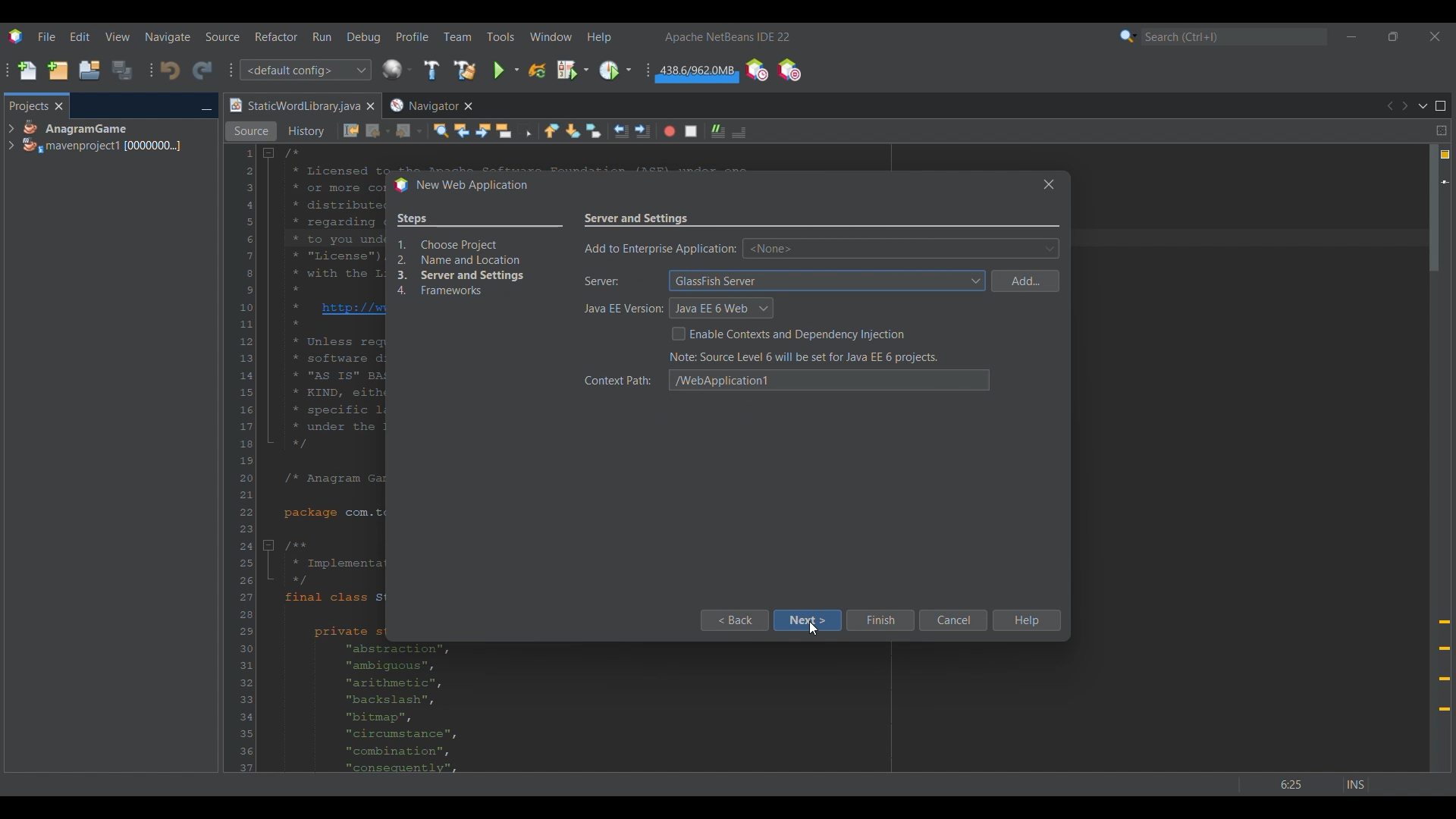 This screenshot has width=1456, height=819. I want to click on Close interface, so click(1435, 36).